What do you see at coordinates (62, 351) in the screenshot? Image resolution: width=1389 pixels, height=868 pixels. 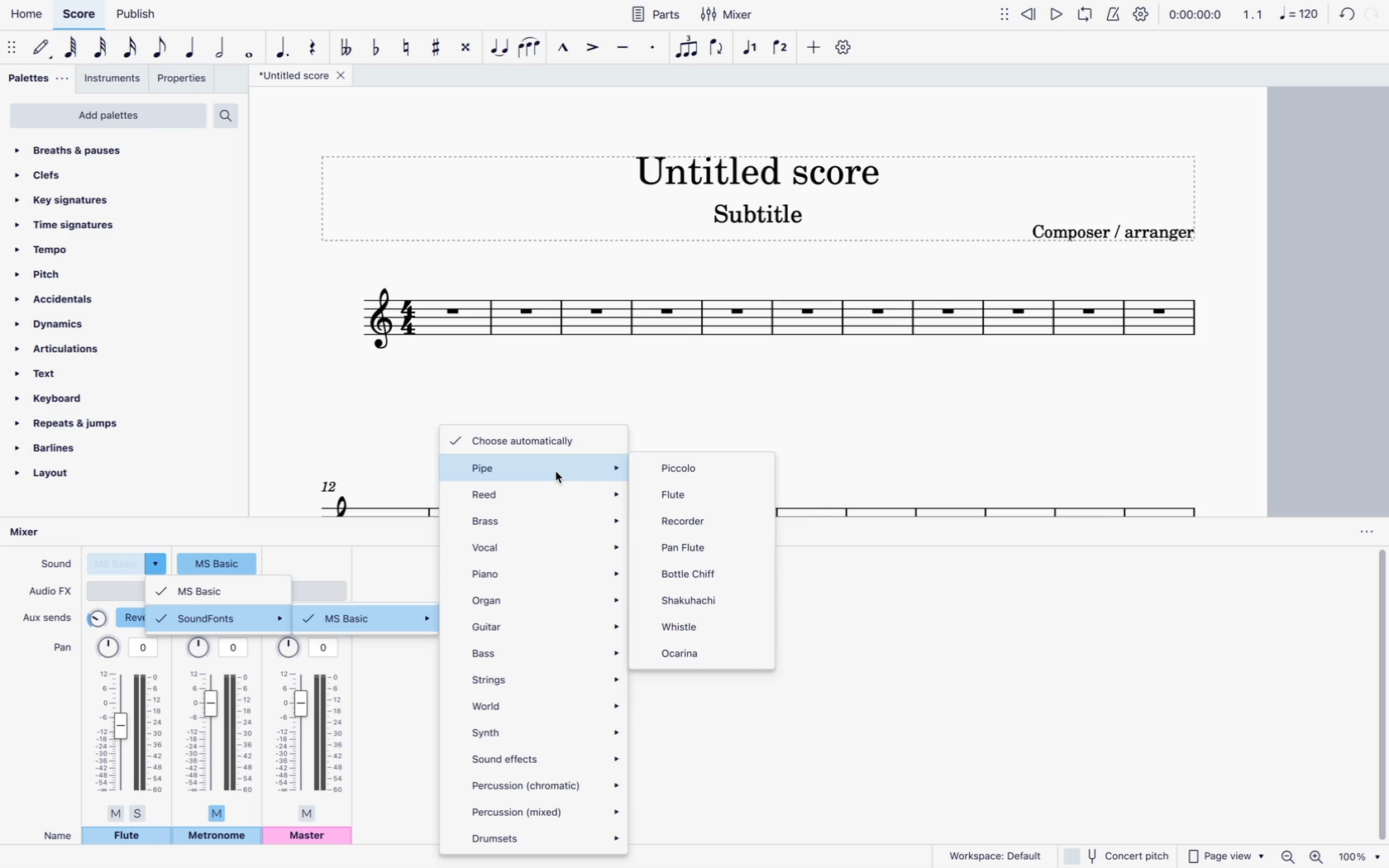 I see `articulations` at bounding box center [62, 351].